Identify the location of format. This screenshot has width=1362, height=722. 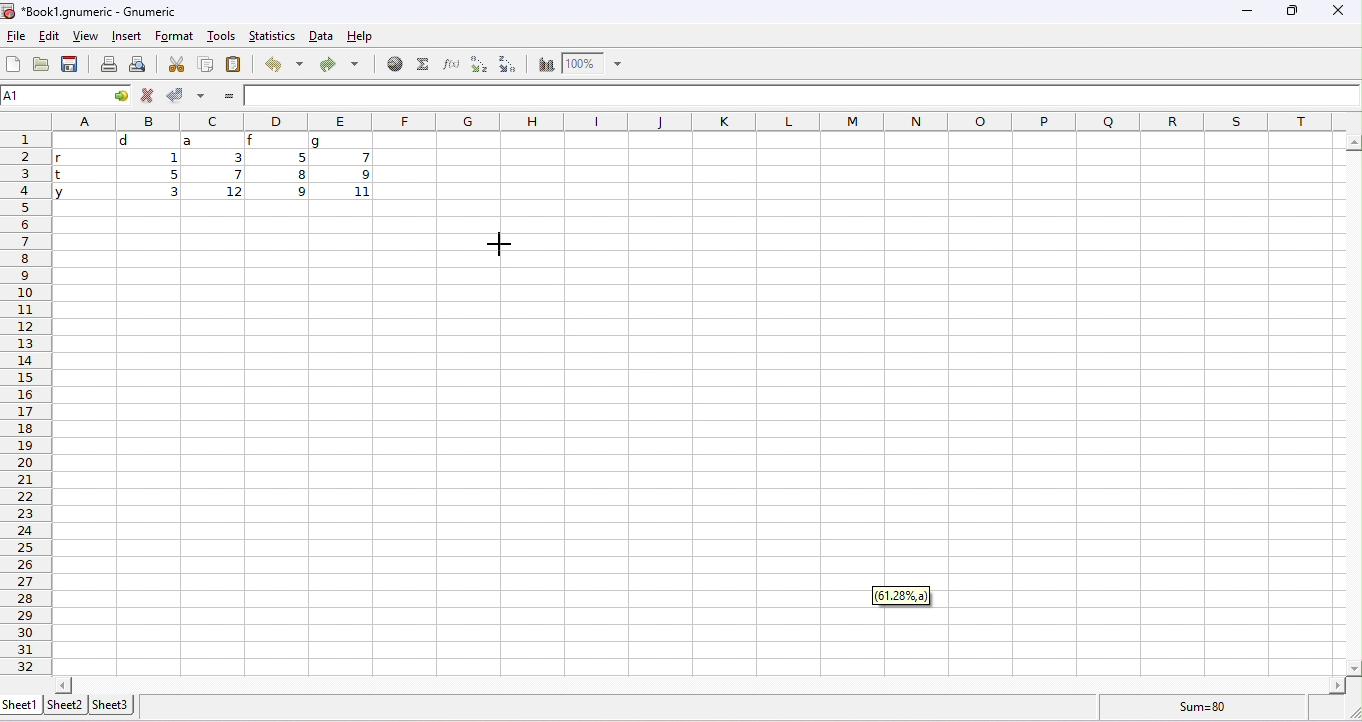
(175, 36).